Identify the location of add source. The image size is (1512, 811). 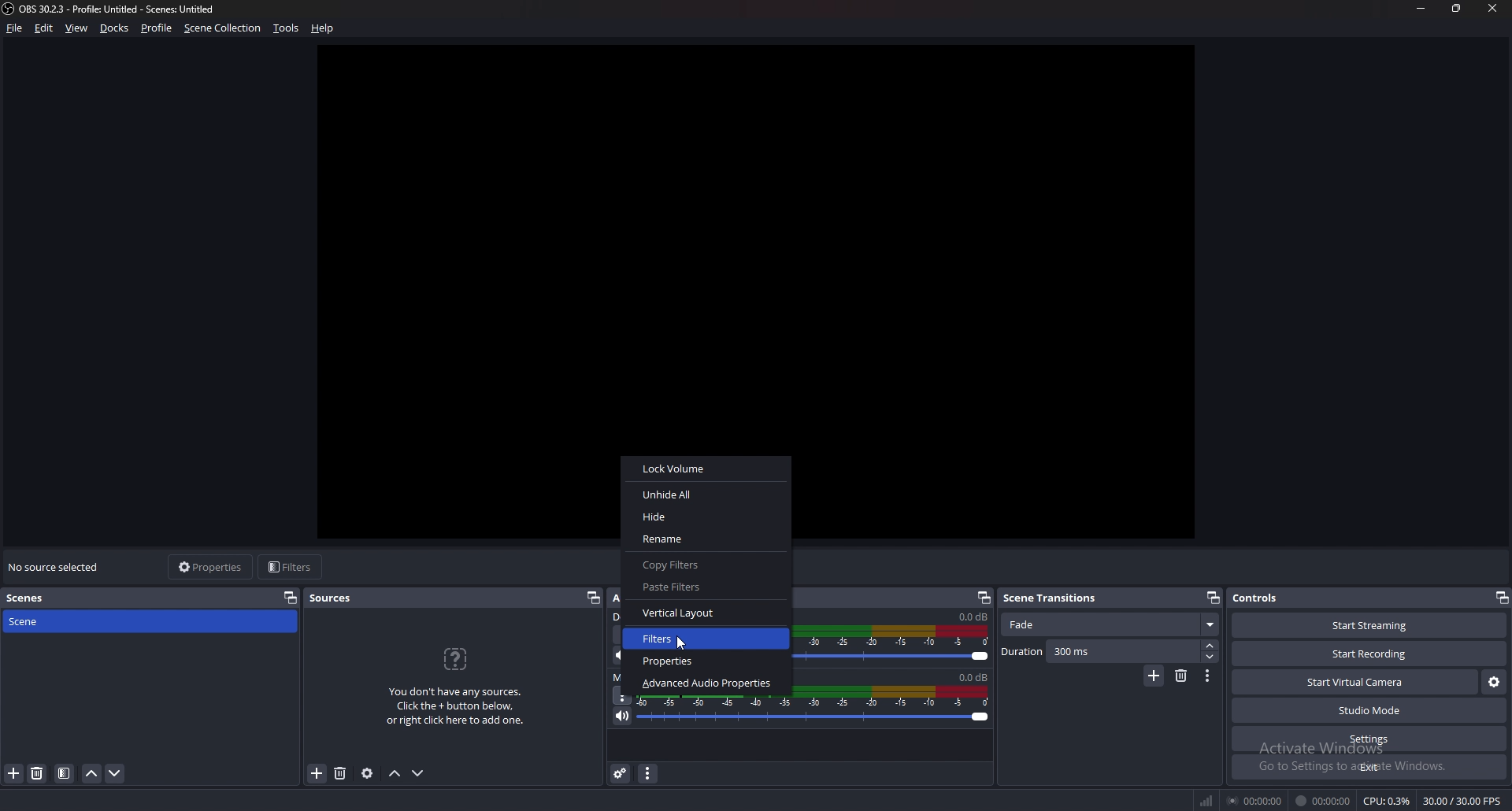
(343, 774).